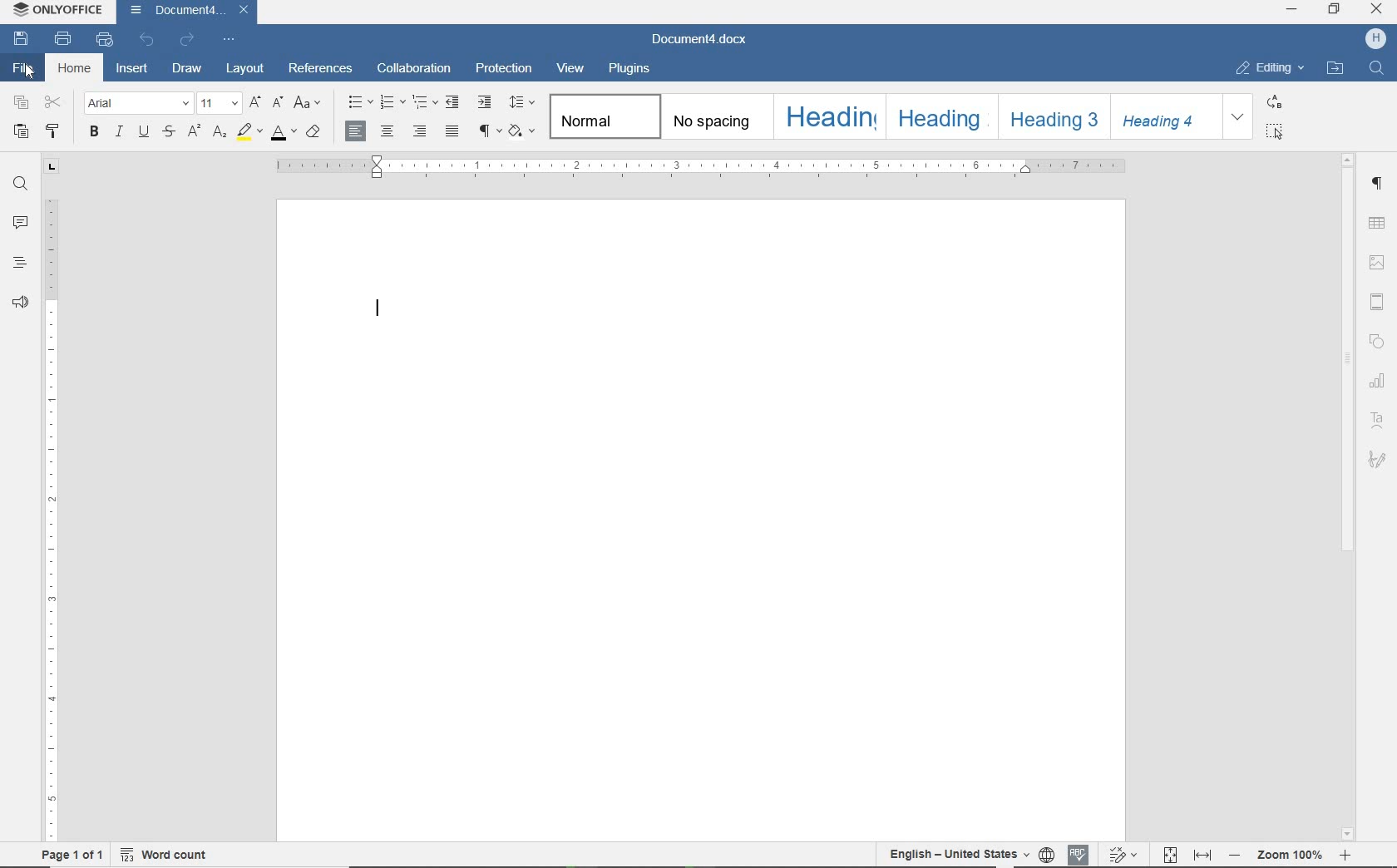  Describe the element at coordinates (522, 103) in the screenshot. I see `paragraph line spacing` at that location.